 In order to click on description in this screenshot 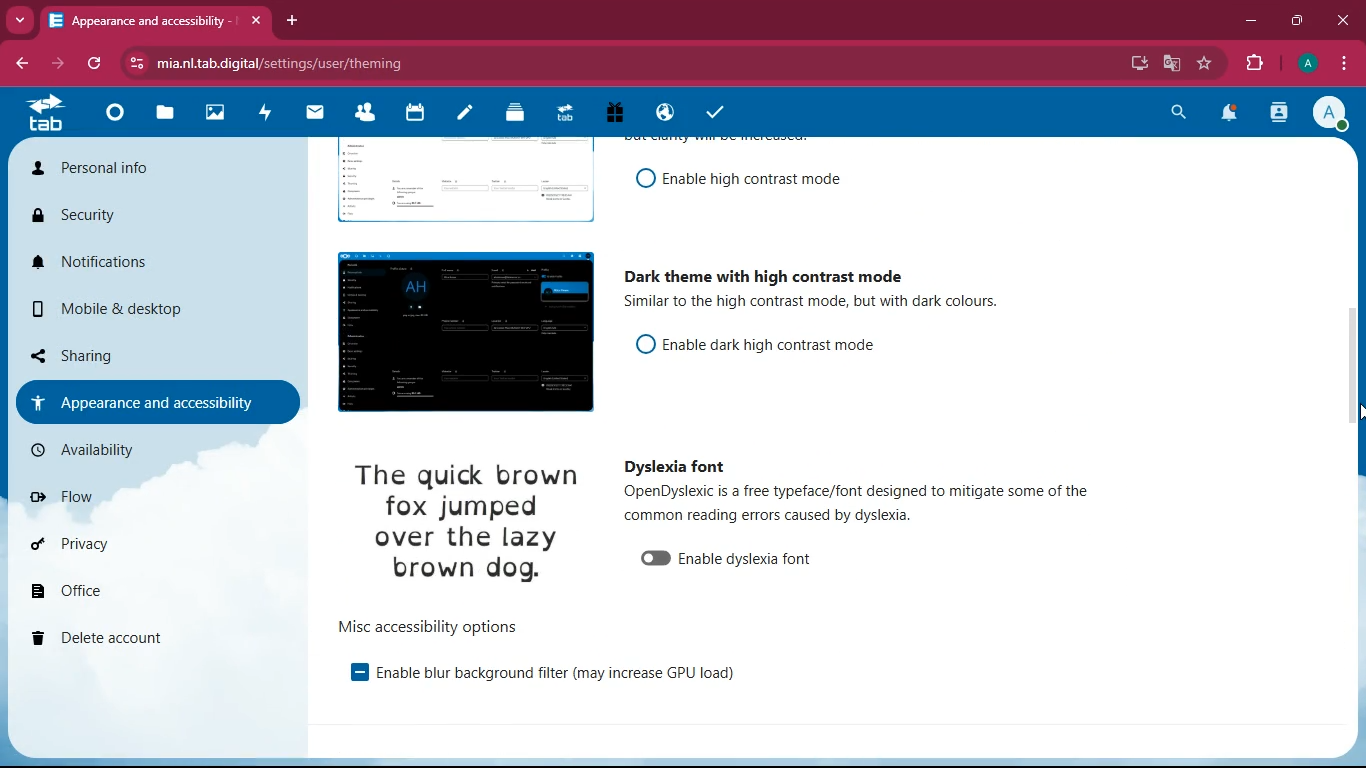, I will do `click(866, 502)`.